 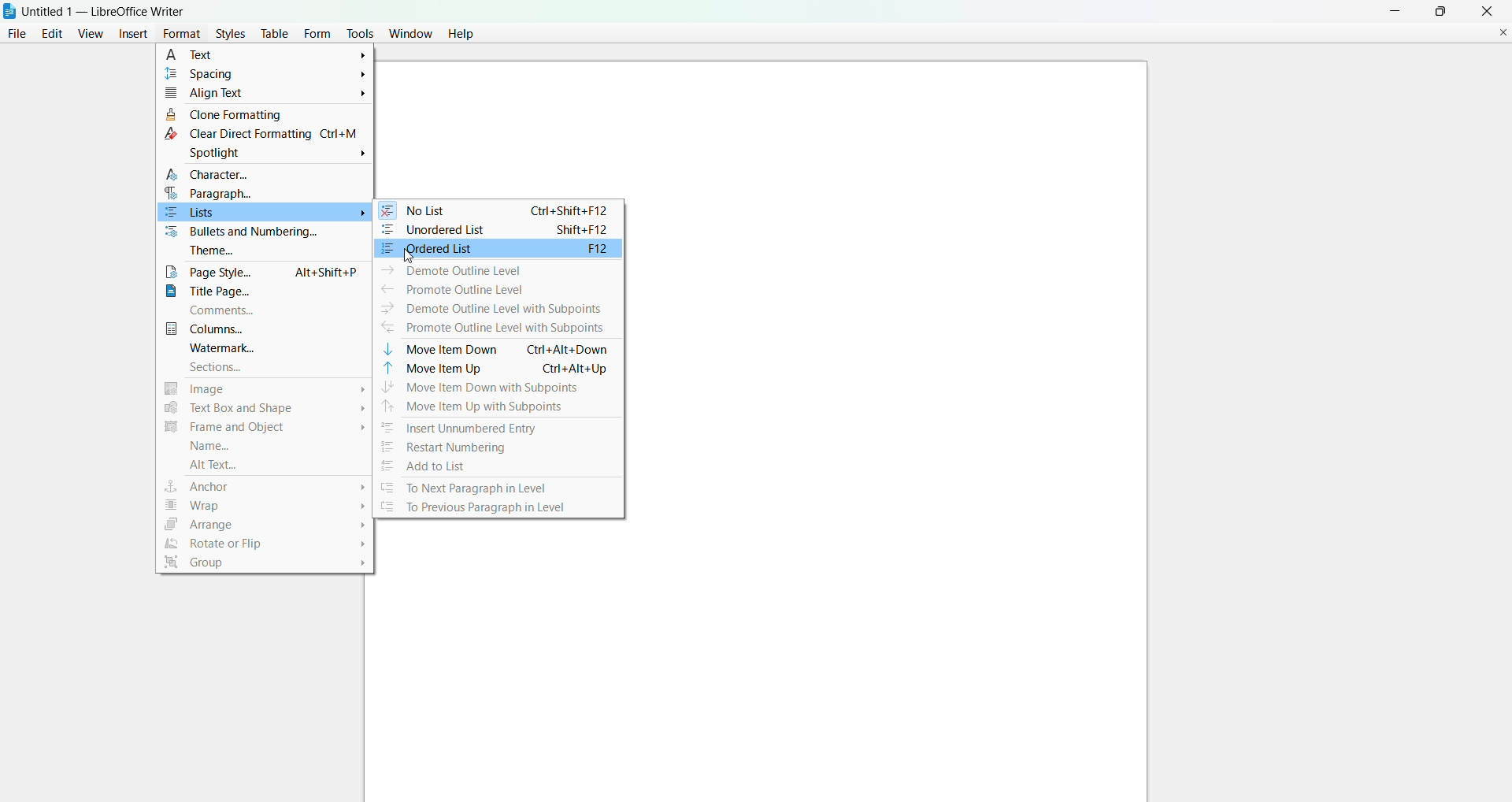 I want to click on frame and object, so click(x=261, y=428).